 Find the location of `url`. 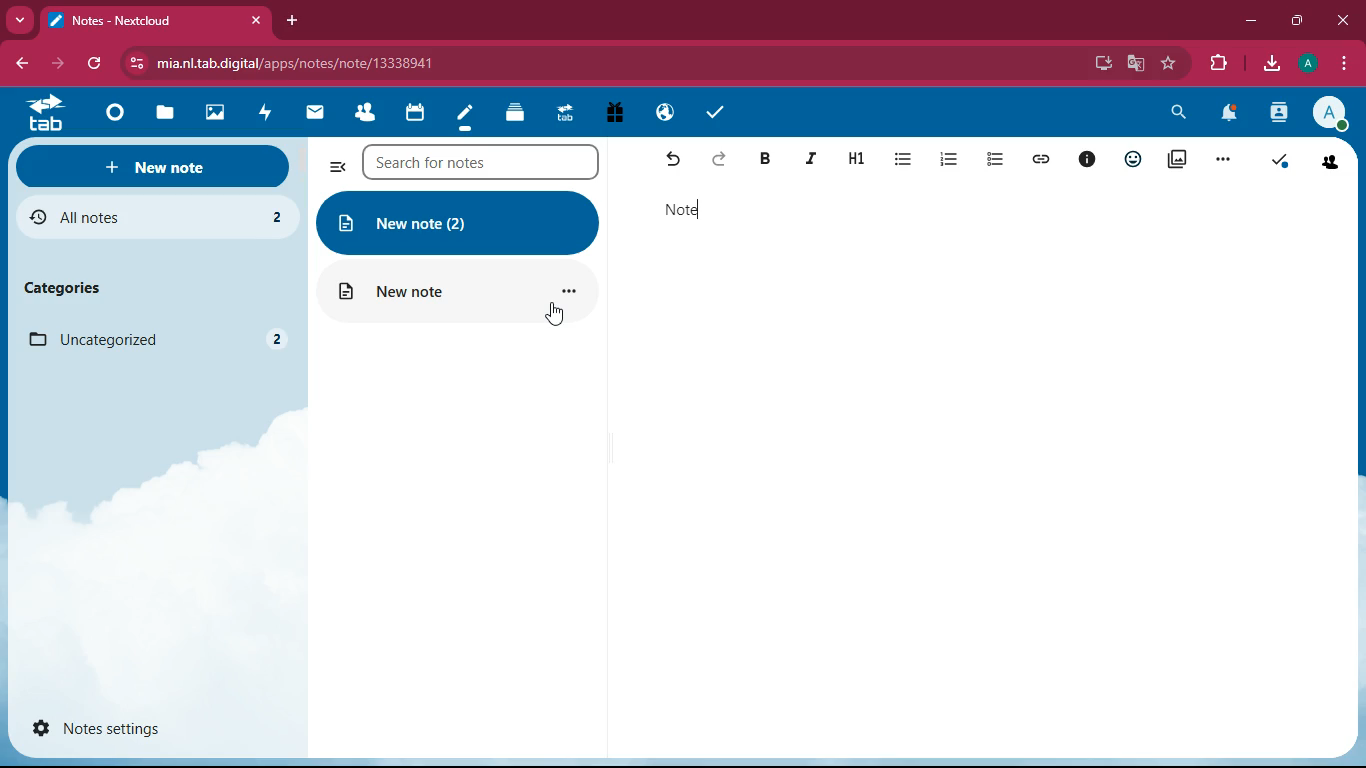

url is located at coordinates (303, 61).